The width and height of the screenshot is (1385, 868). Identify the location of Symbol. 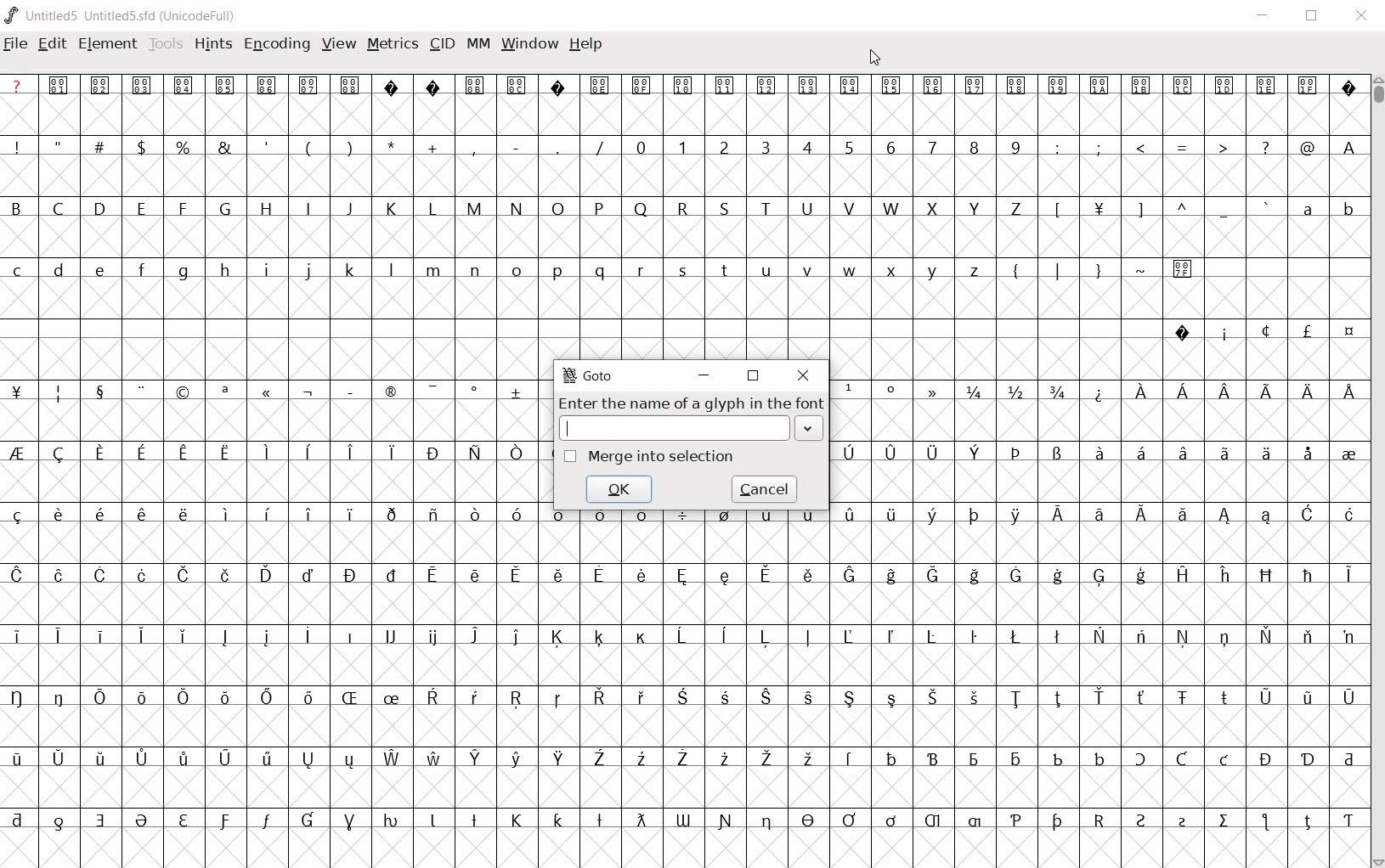
(1348, 758).